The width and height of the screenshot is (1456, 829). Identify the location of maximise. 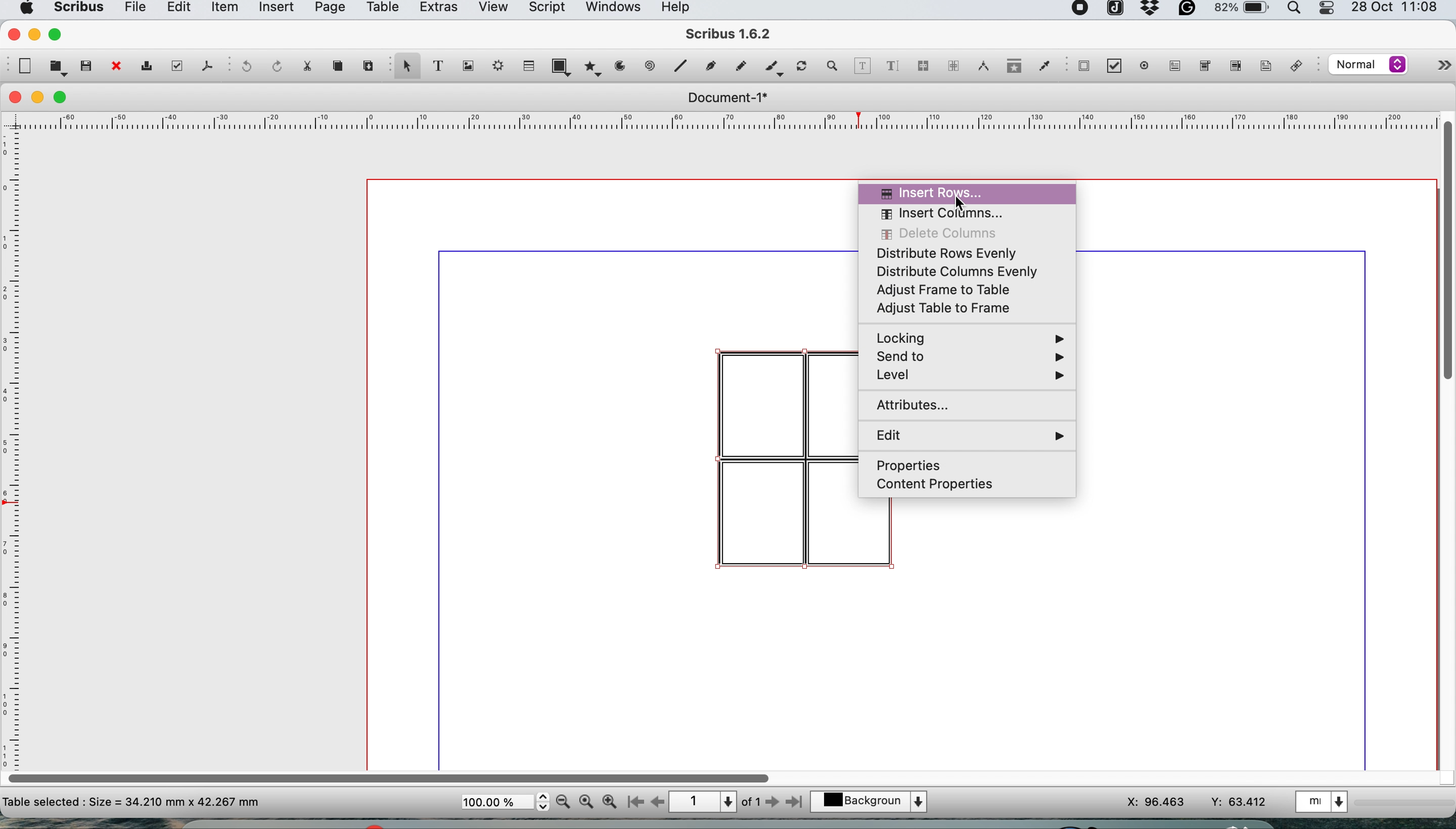
(58, 34).